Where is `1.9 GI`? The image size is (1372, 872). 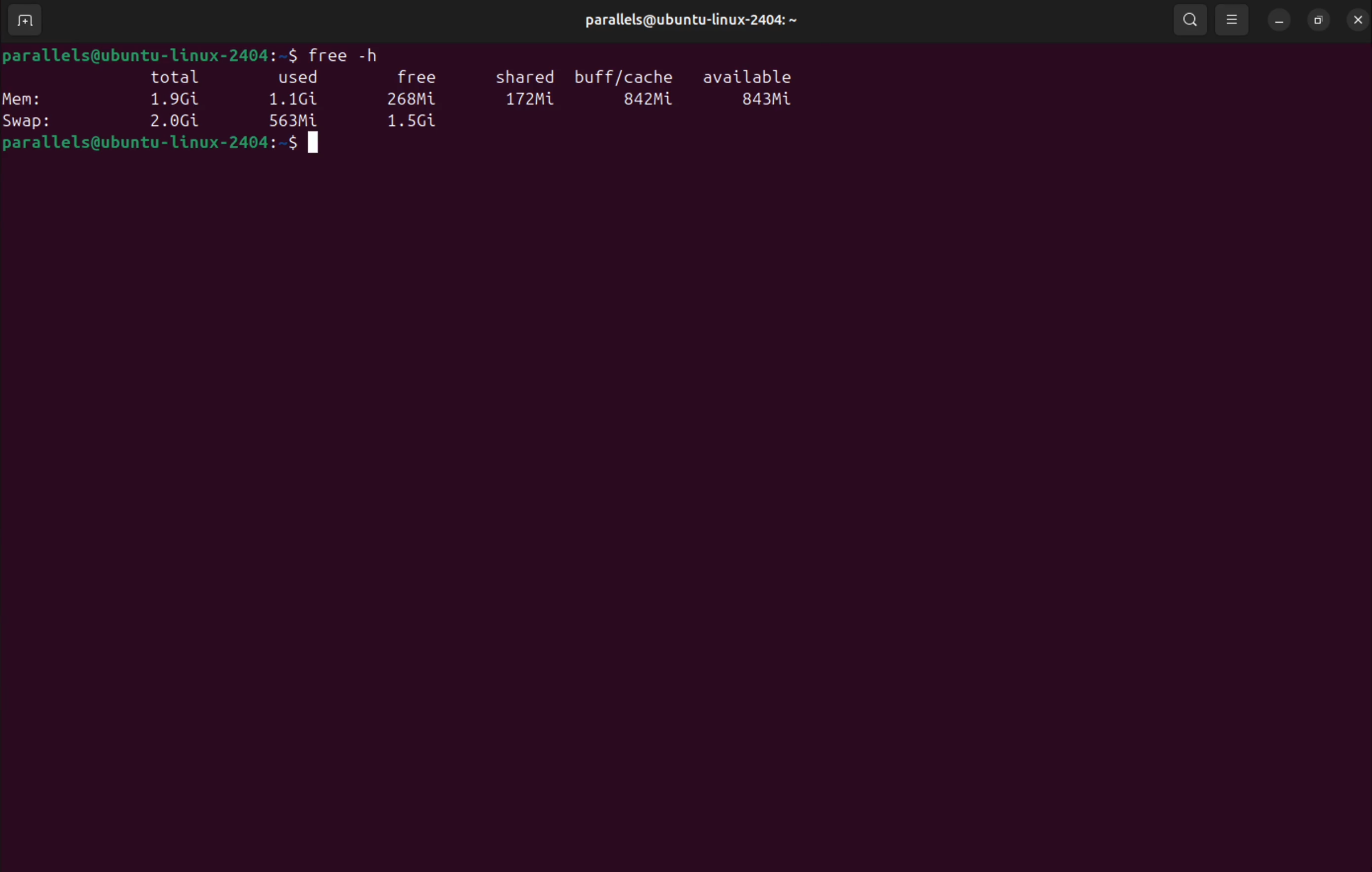
1.9 GI is located at coordinates (175, 100).